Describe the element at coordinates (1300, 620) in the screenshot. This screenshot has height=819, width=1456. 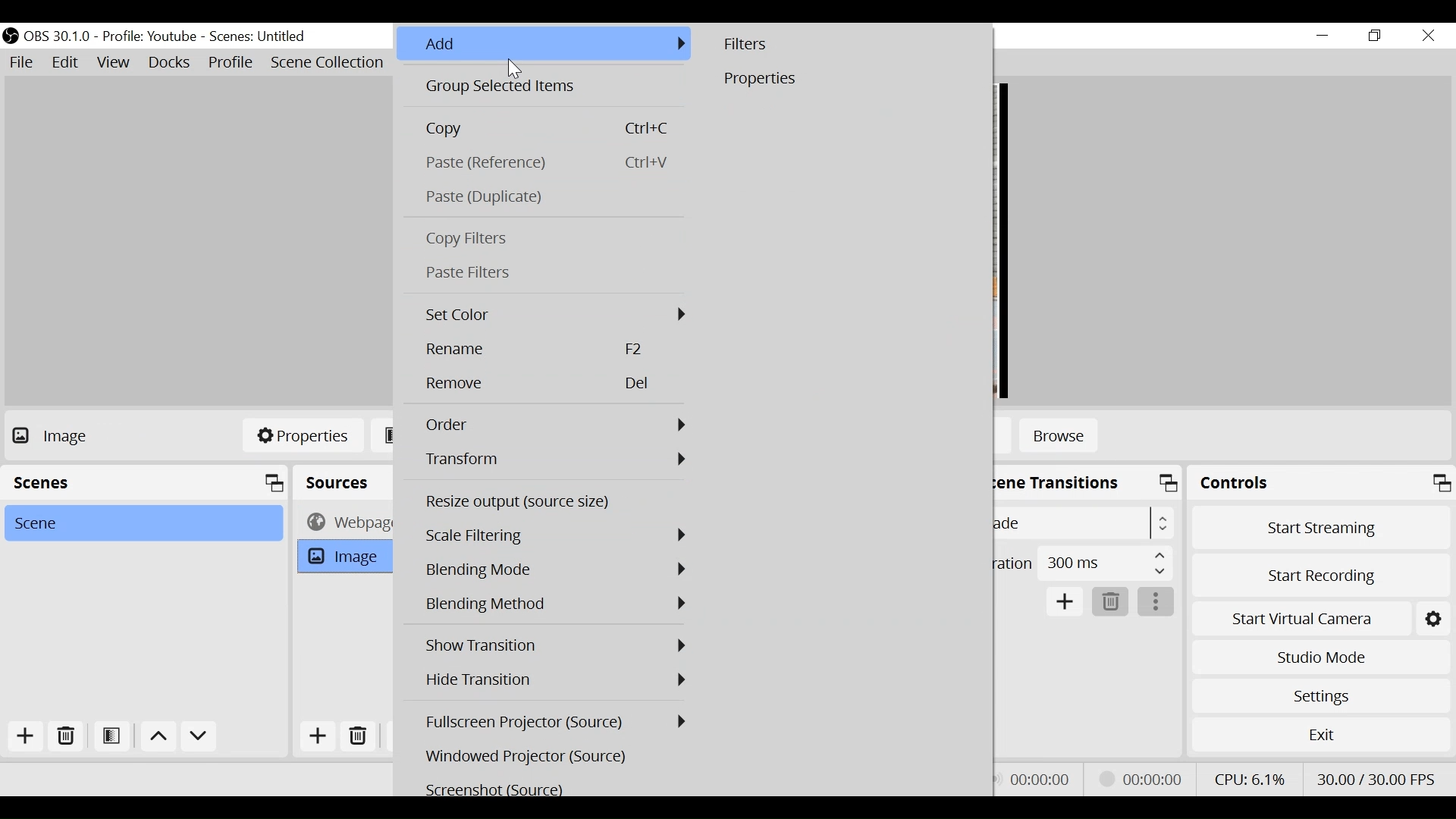
I see `Start Virtual Camera` at that location.